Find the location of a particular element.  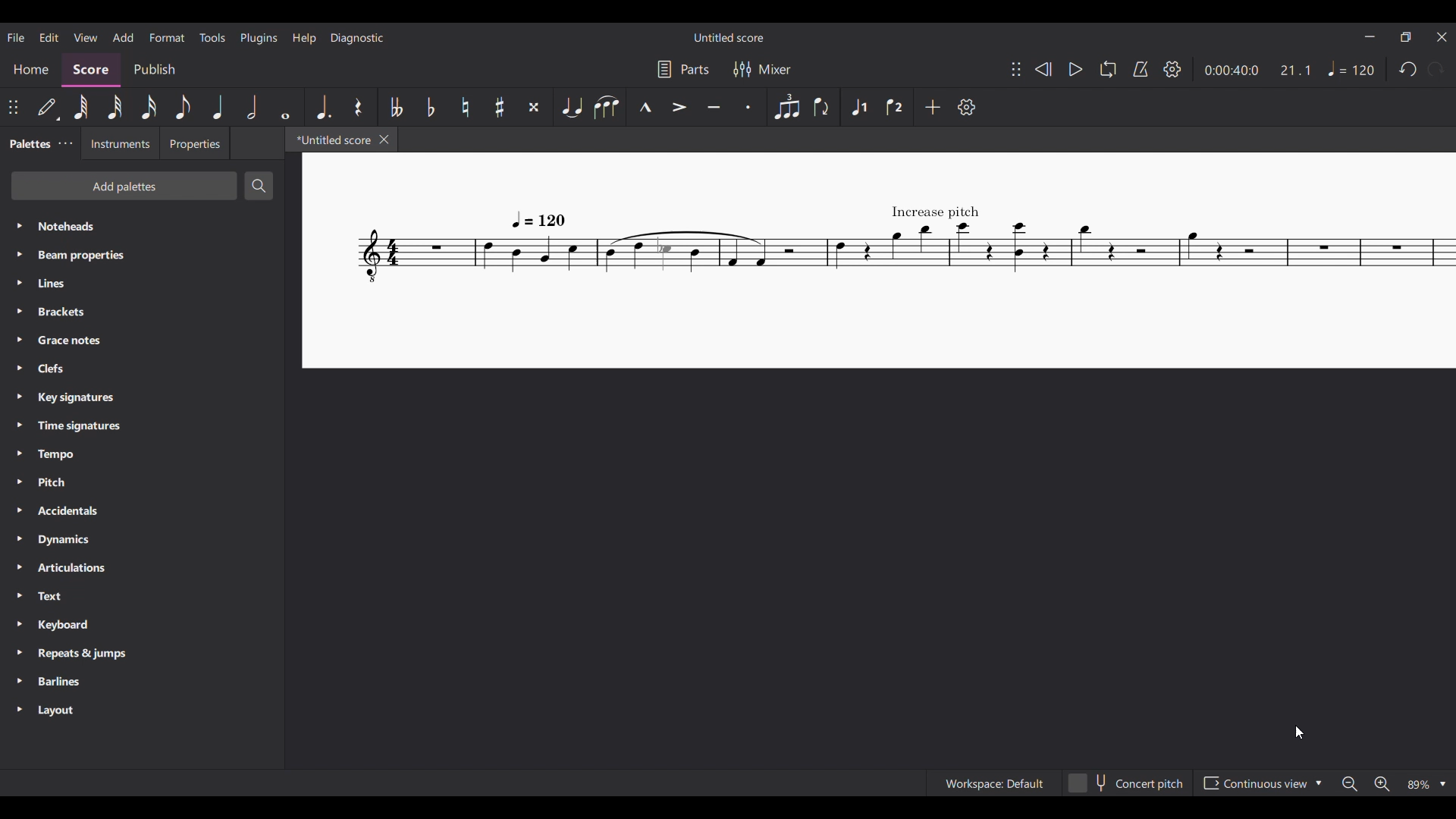

Parts settings is located at coordinates (683, 68).